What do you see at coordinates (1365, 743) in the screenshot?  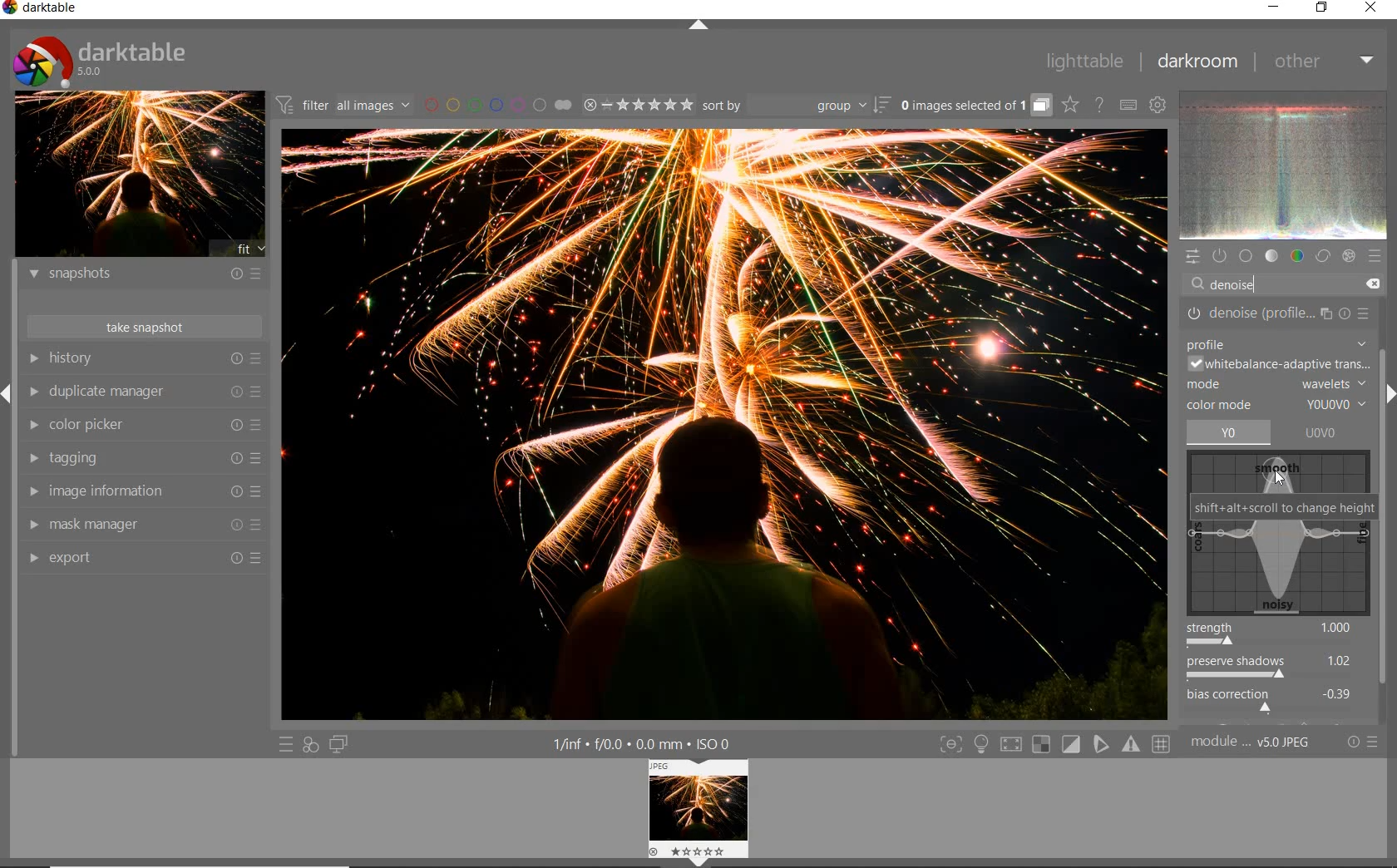 I see `reset or presets and preferences` at bounding box center [1365, 743].